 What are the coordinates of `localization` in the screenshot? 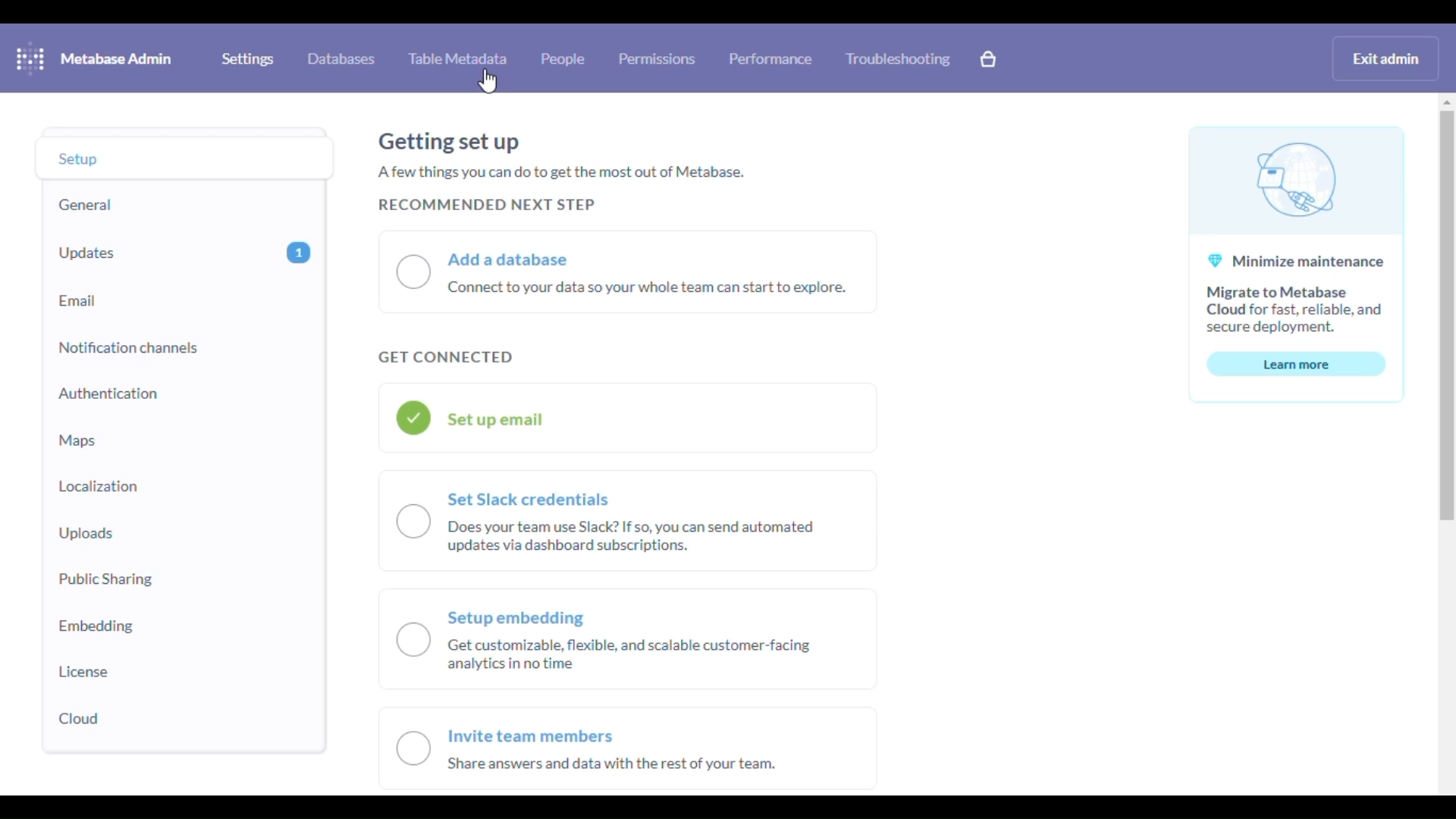 It's located at (97, 487).